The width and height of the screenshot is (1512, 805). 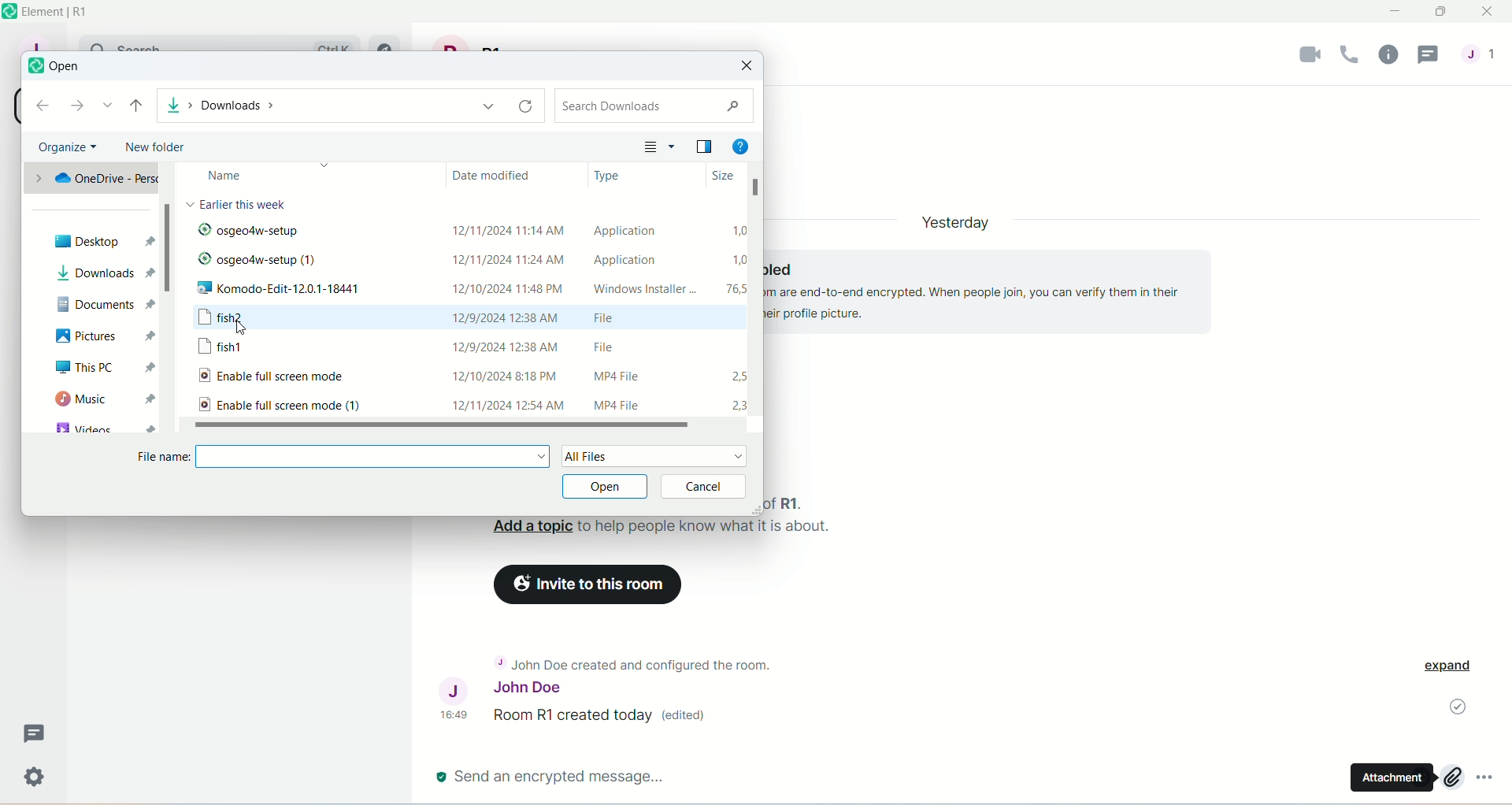 I want to click on size, so click(x=717, y=176).